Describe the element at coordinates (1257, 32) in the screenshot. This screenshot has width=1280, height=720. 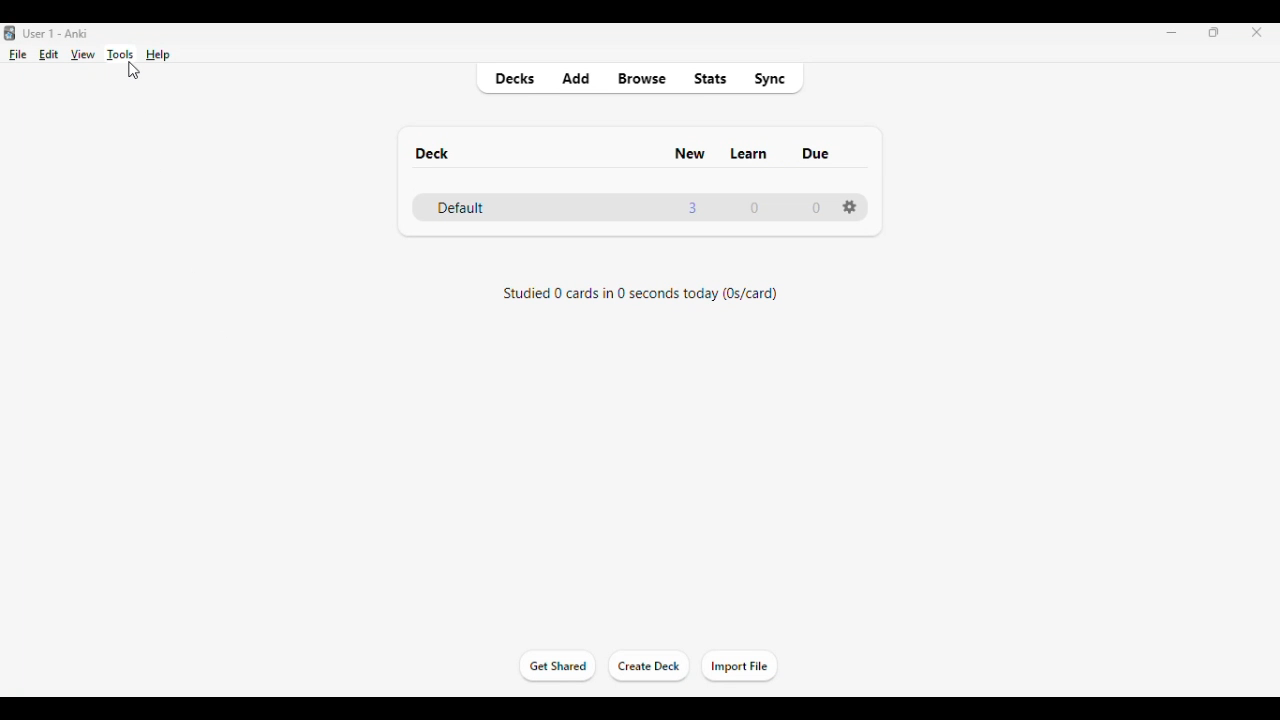
I see `close` at that location.